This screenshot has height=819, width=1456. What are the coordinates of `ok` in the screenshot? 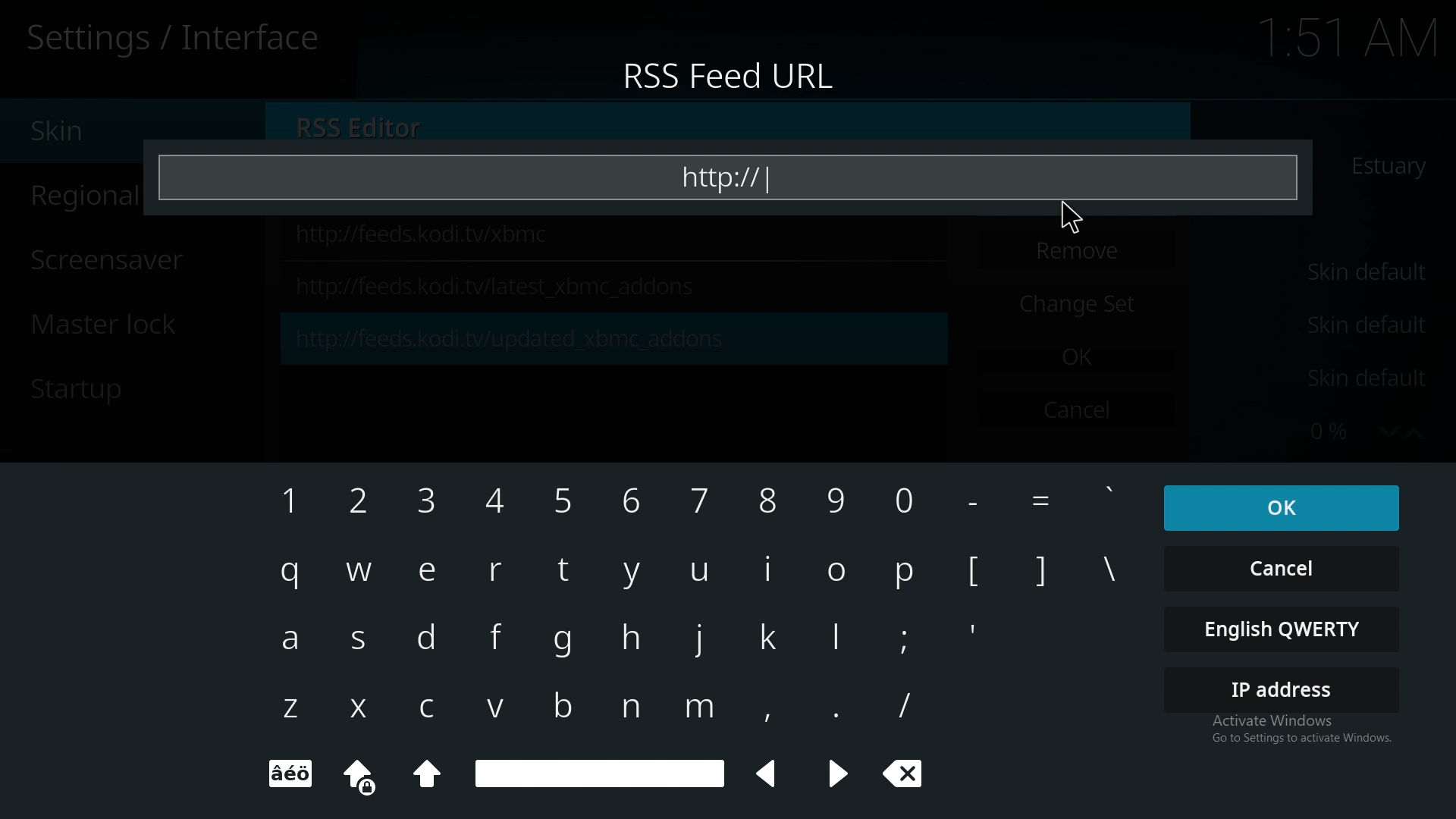 It's located at (1276, 508).